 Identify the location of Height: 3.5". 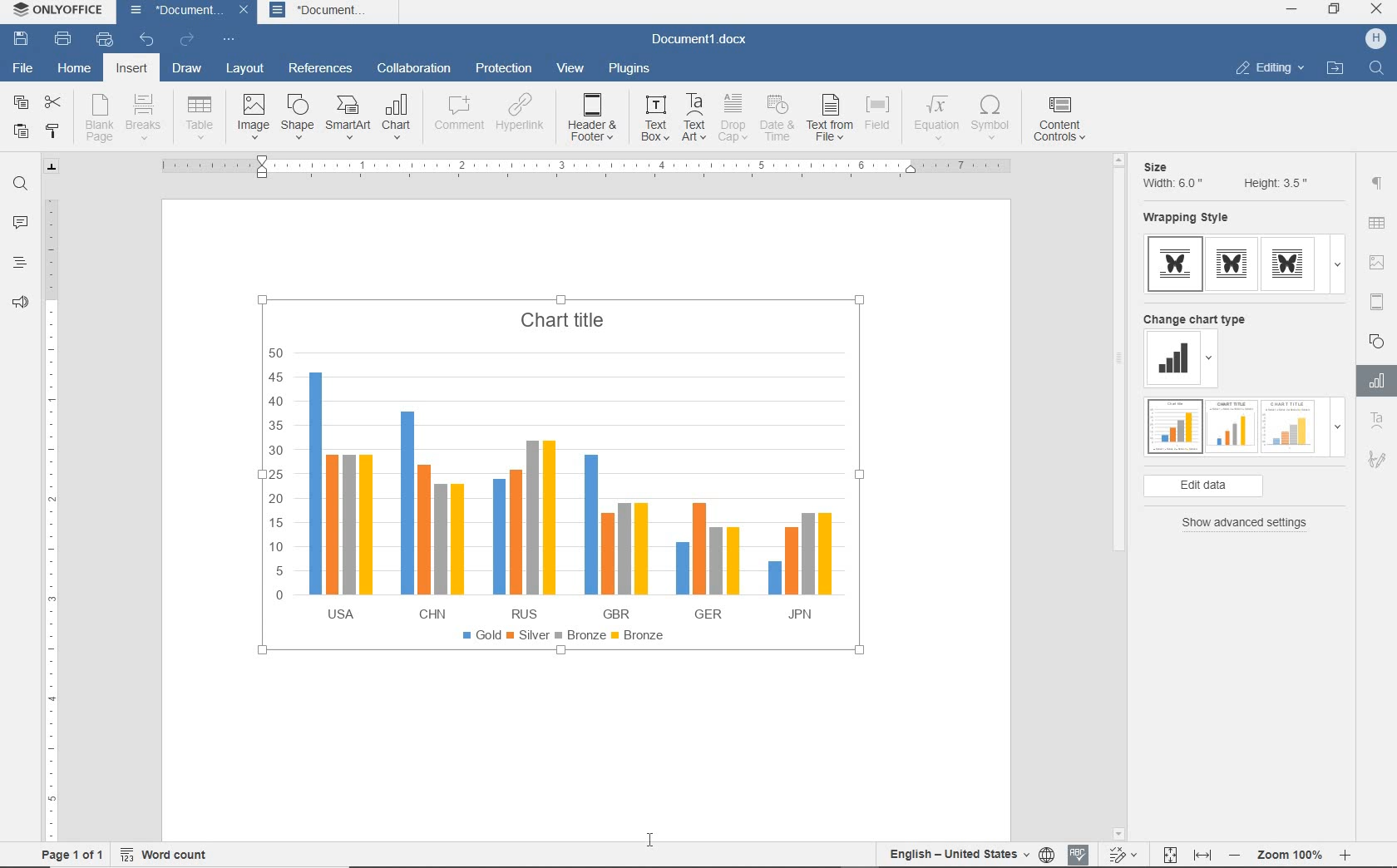
(1273, 182).